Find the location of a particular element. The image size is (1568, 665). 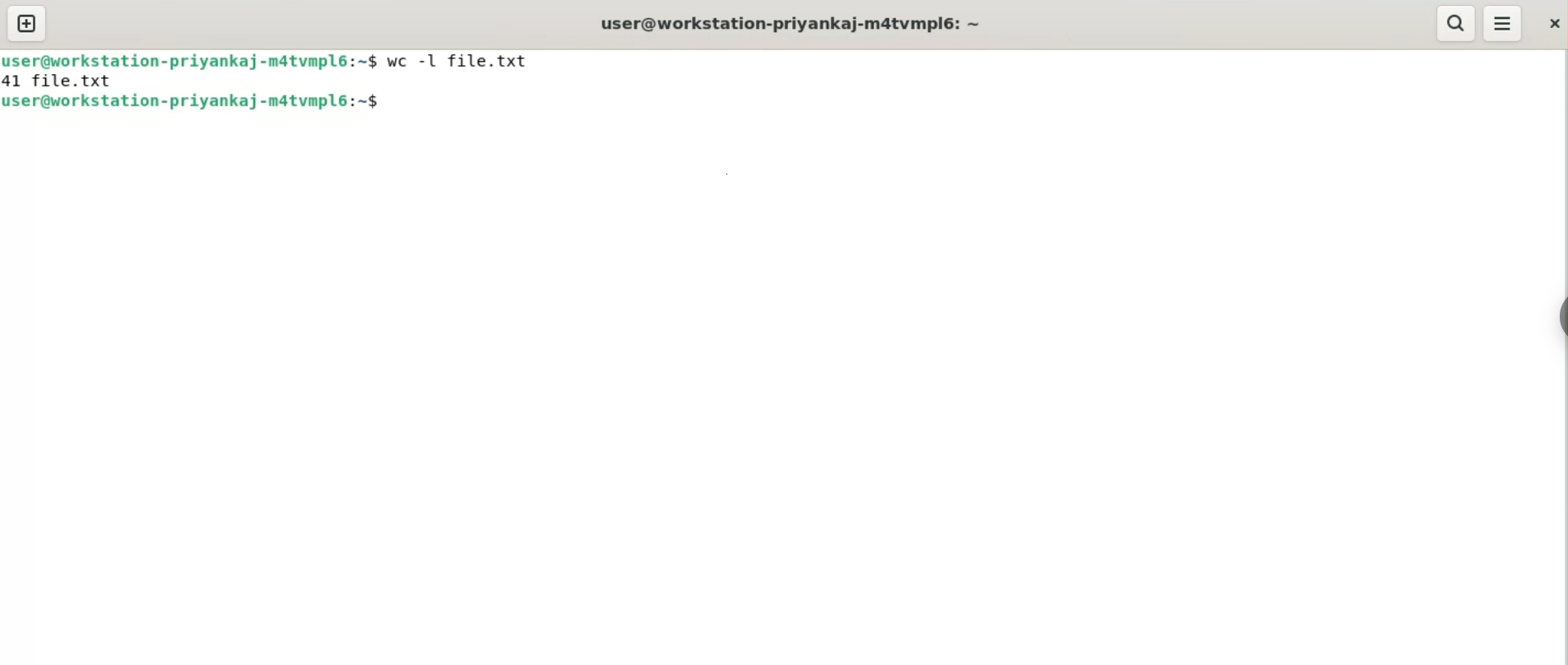

menu is located at coordinates (1503, 23).